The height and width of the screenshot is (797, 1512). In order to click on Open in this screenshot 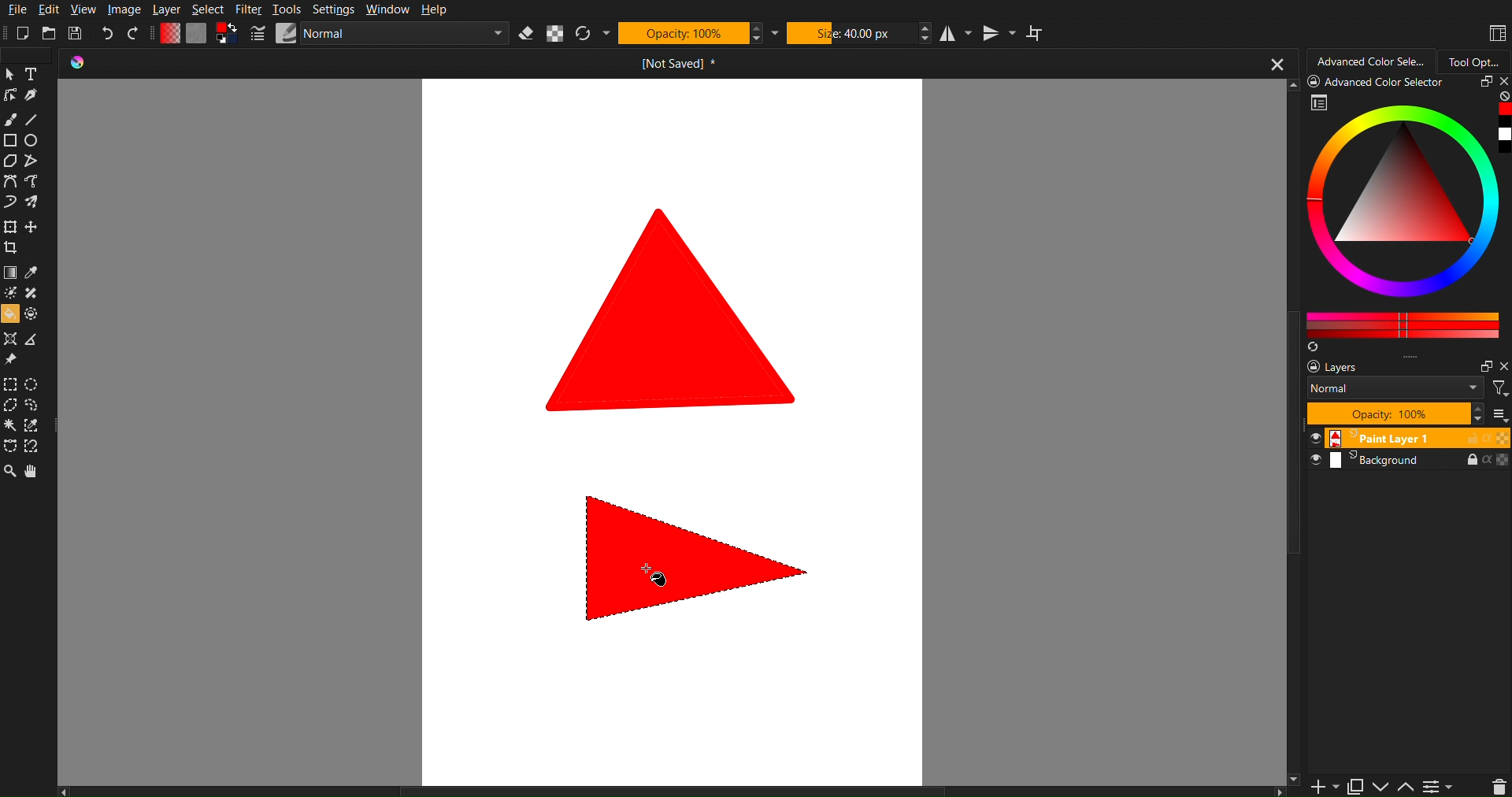, I will do `click(50, 32)`.